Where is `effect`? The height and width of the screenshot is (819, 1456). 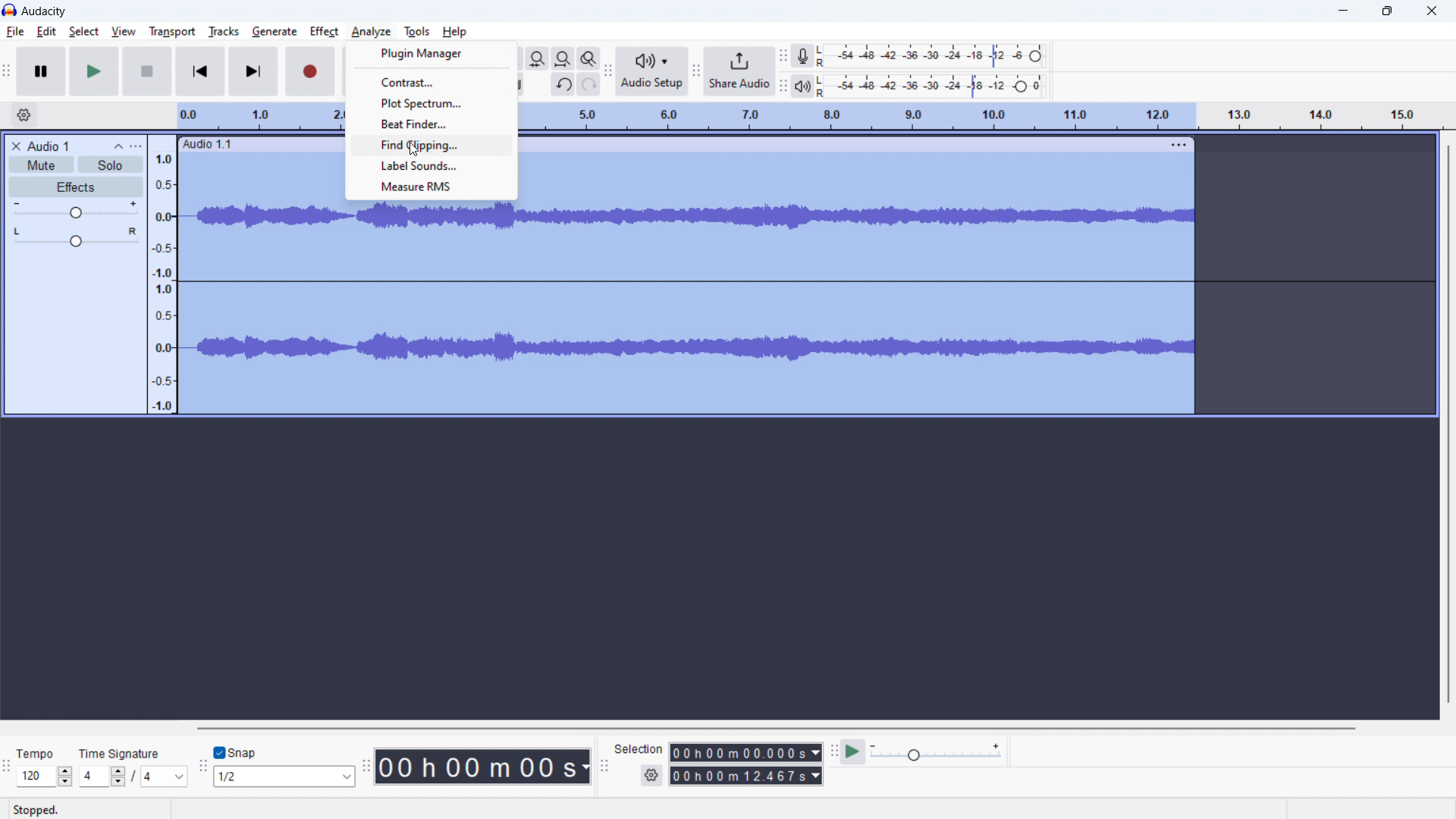 effect is located at coordinates (325, 32).